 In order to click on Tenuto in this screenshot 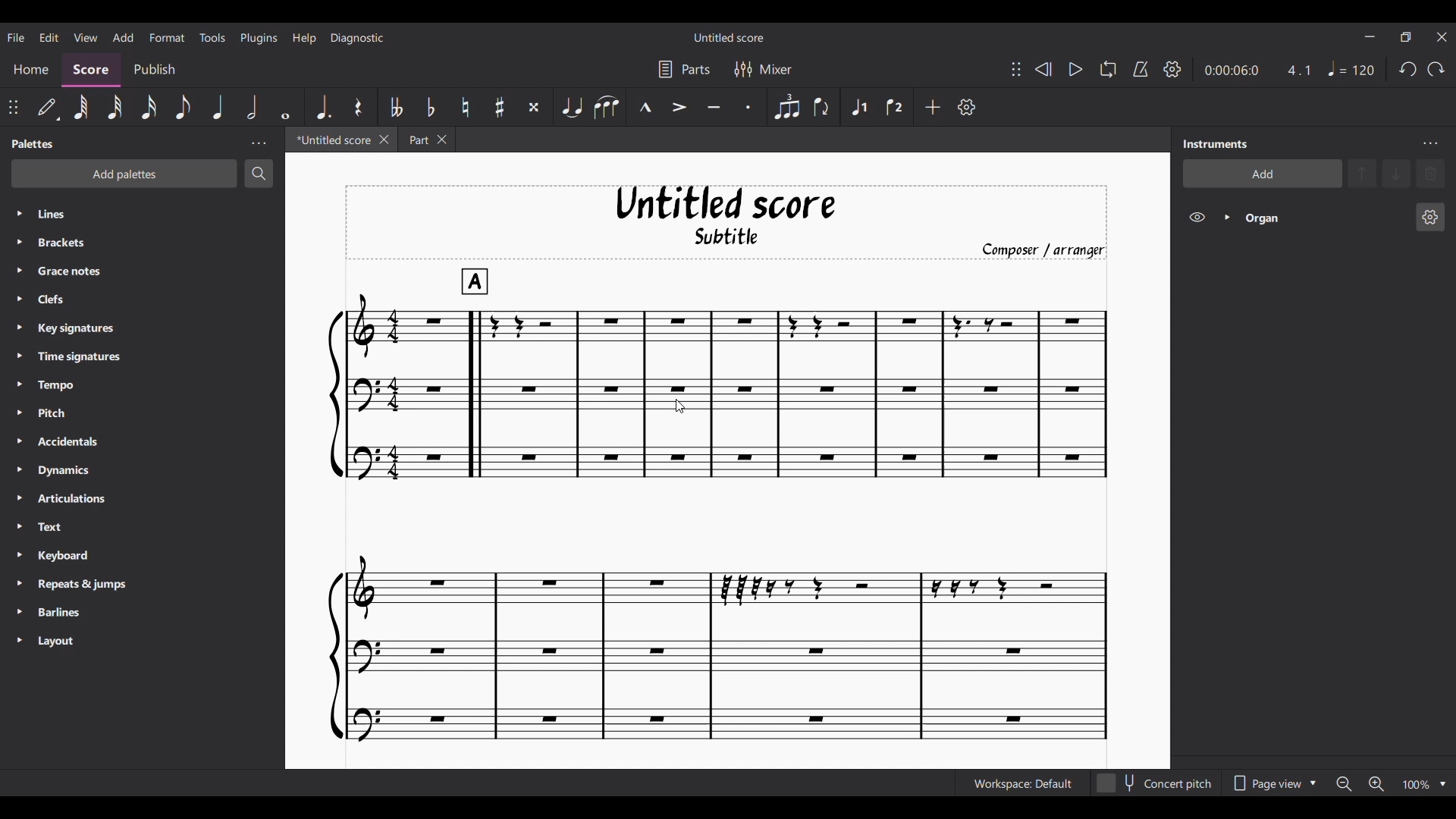, I will do `click(714, 108)`.